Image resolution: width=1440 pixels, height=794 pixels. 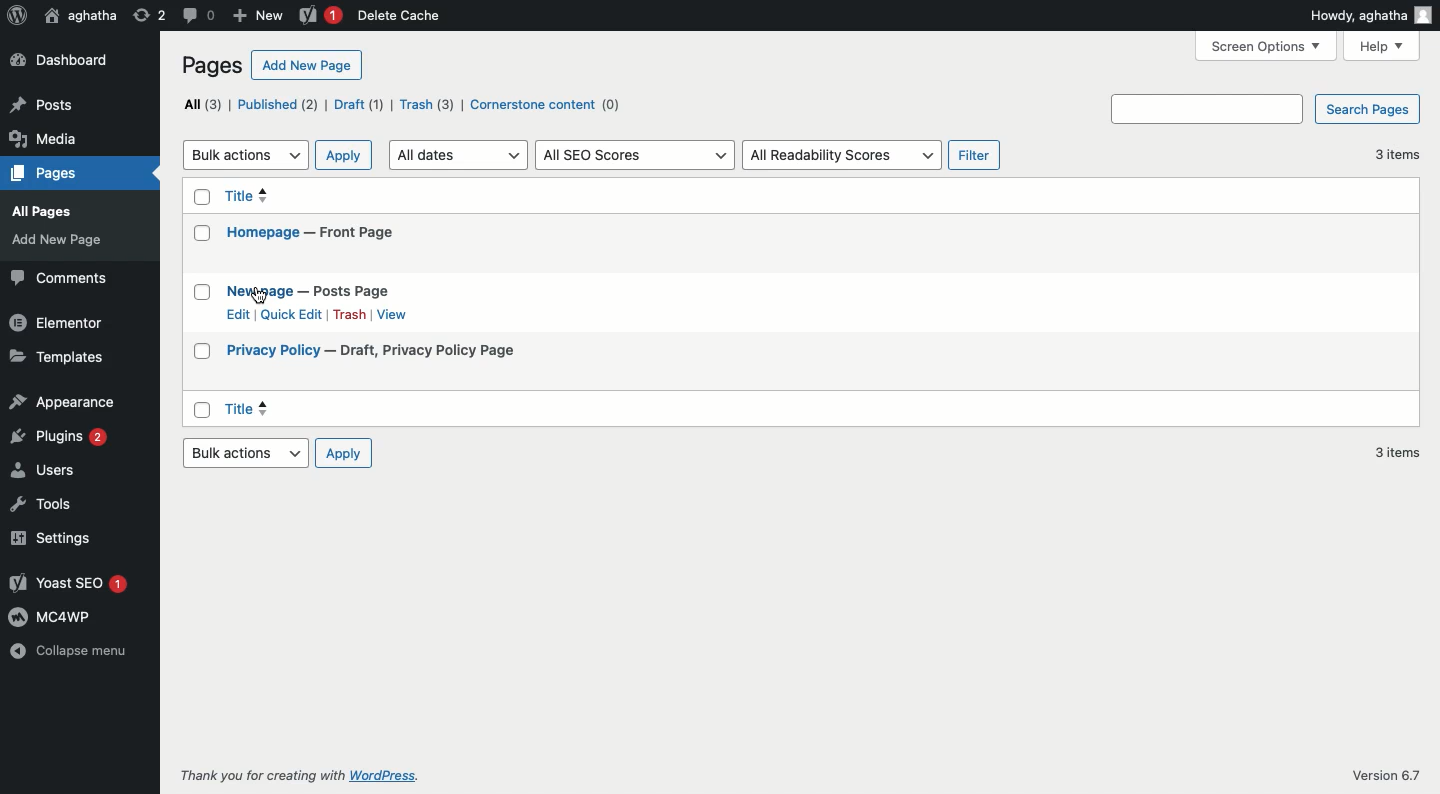 What do you see at coordinates (65, 537) in the screenshot?
I see `Settings` at bounding box center [65, 537].